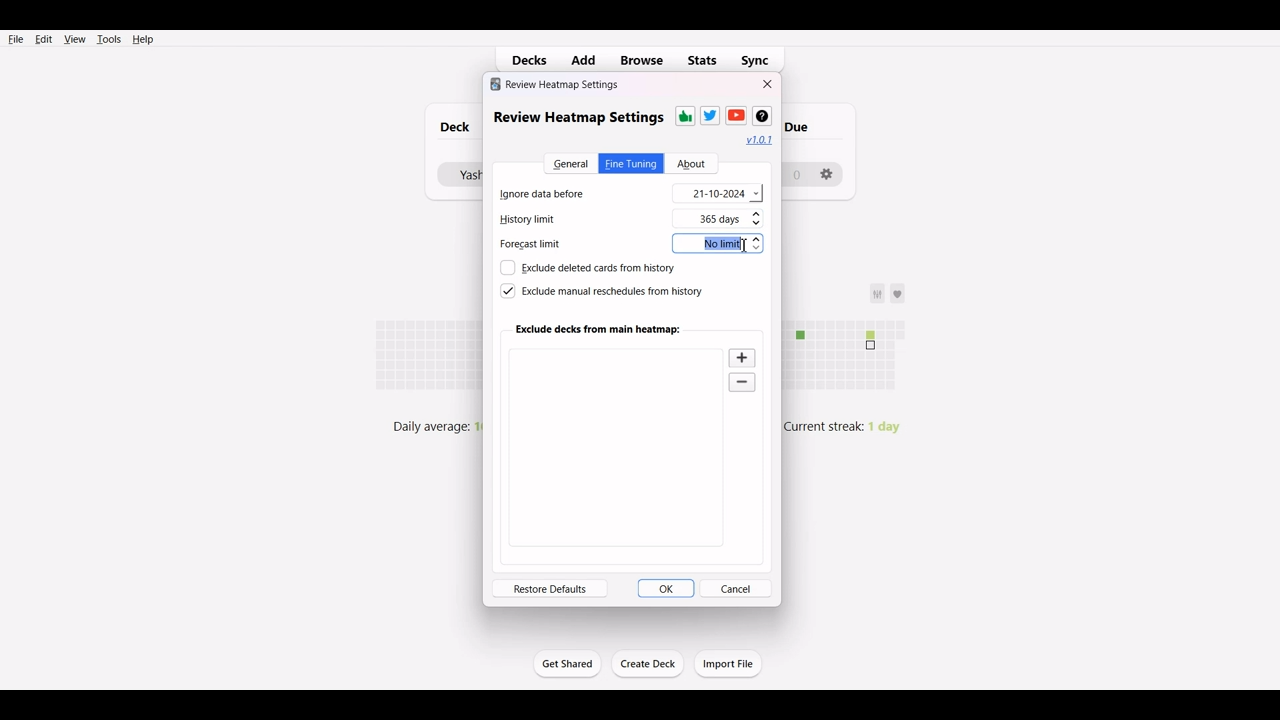 The image size is (1280, 720). Describe the element at coordinates (795, 173) in the screenshot. I see `0` at that location.